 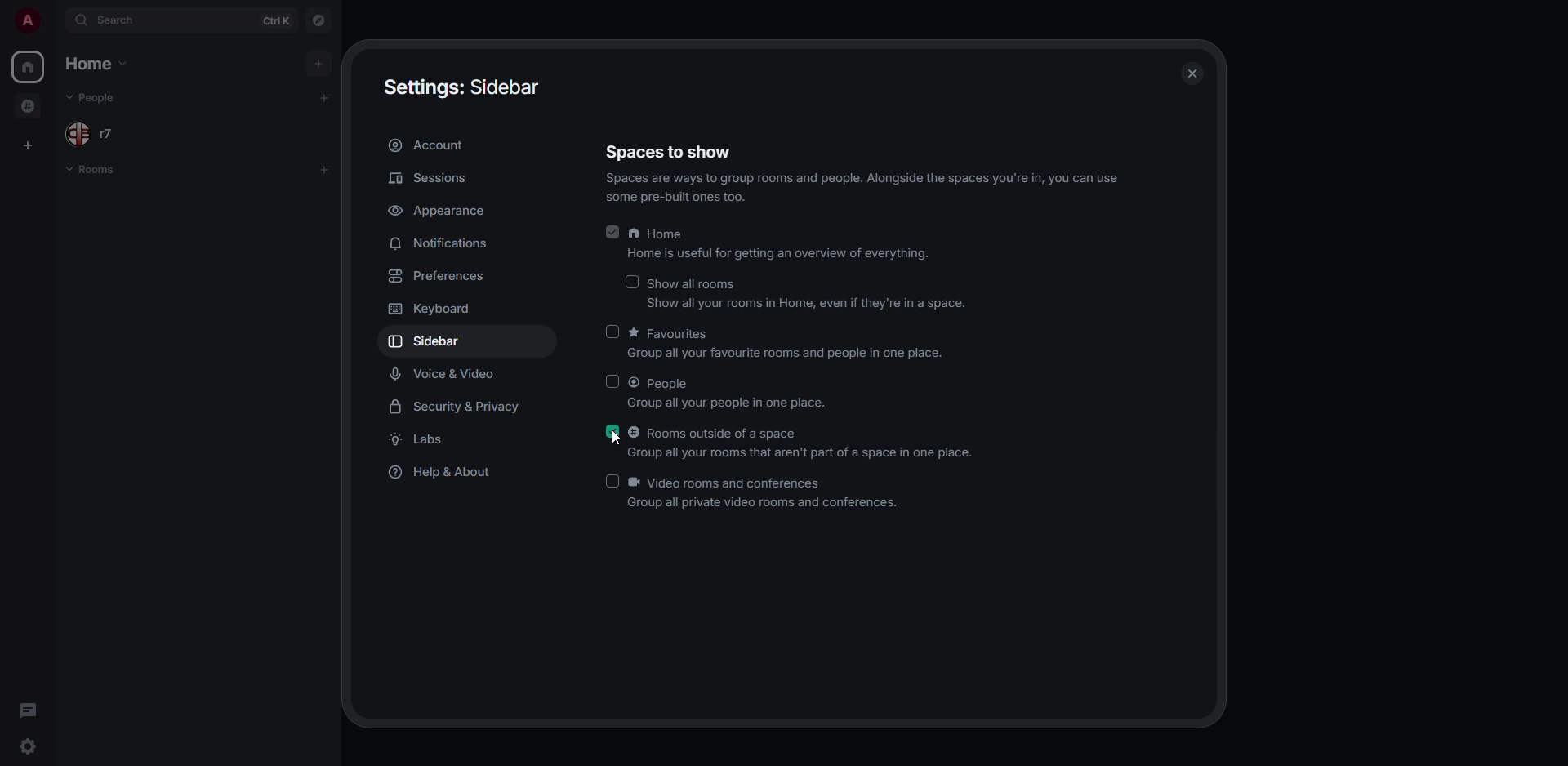 What do you see at coordinates (430, 145) in the screenshot?
I see `account` at bounding box center [430, 145].